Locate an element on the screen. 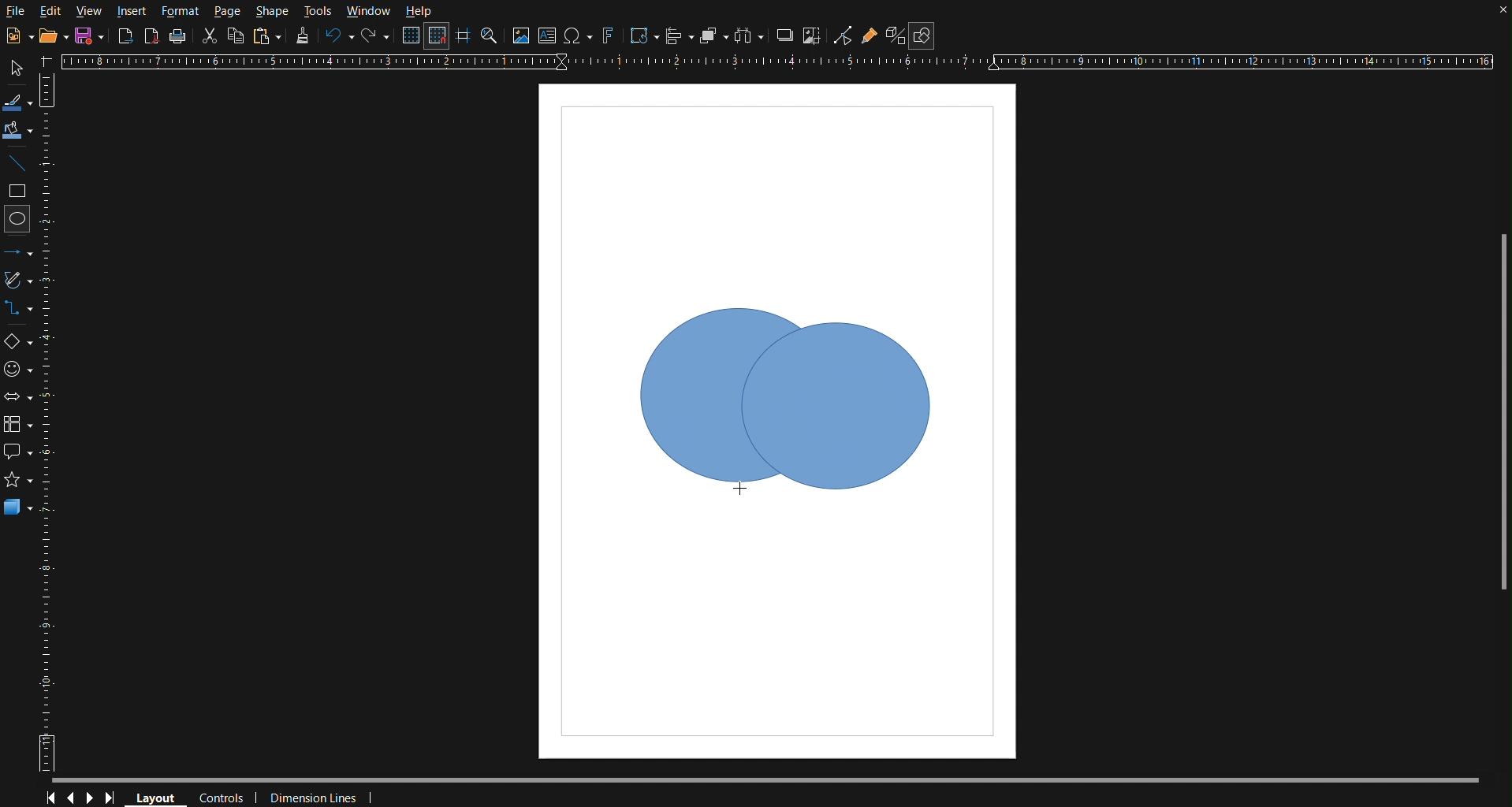 This screenshot has height=807, width=1512. Shape is located at coordinates (272, 12).